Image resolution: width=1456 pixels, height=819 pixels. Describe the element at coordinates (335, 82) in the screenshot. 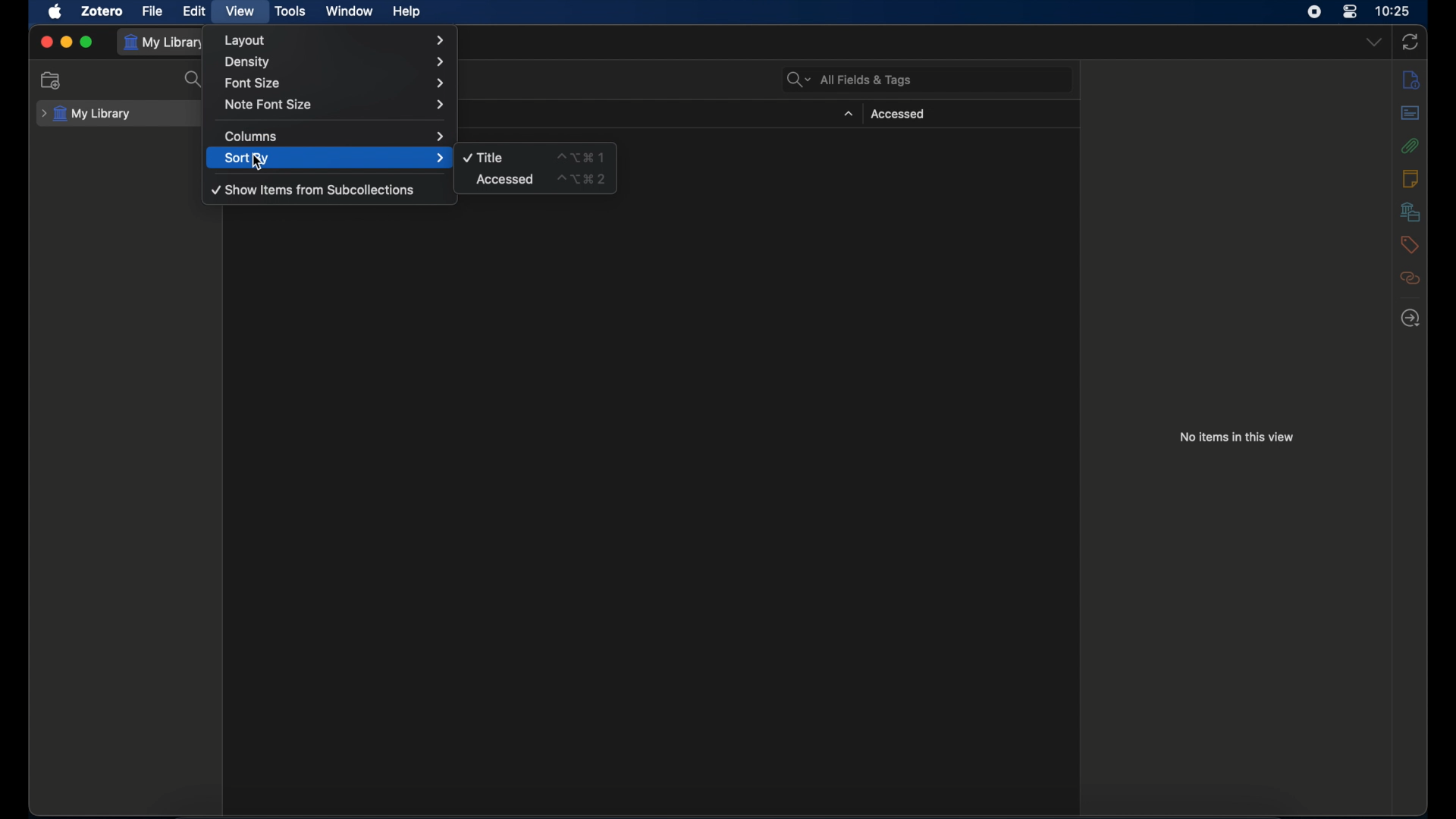

I see `font size` at that location.